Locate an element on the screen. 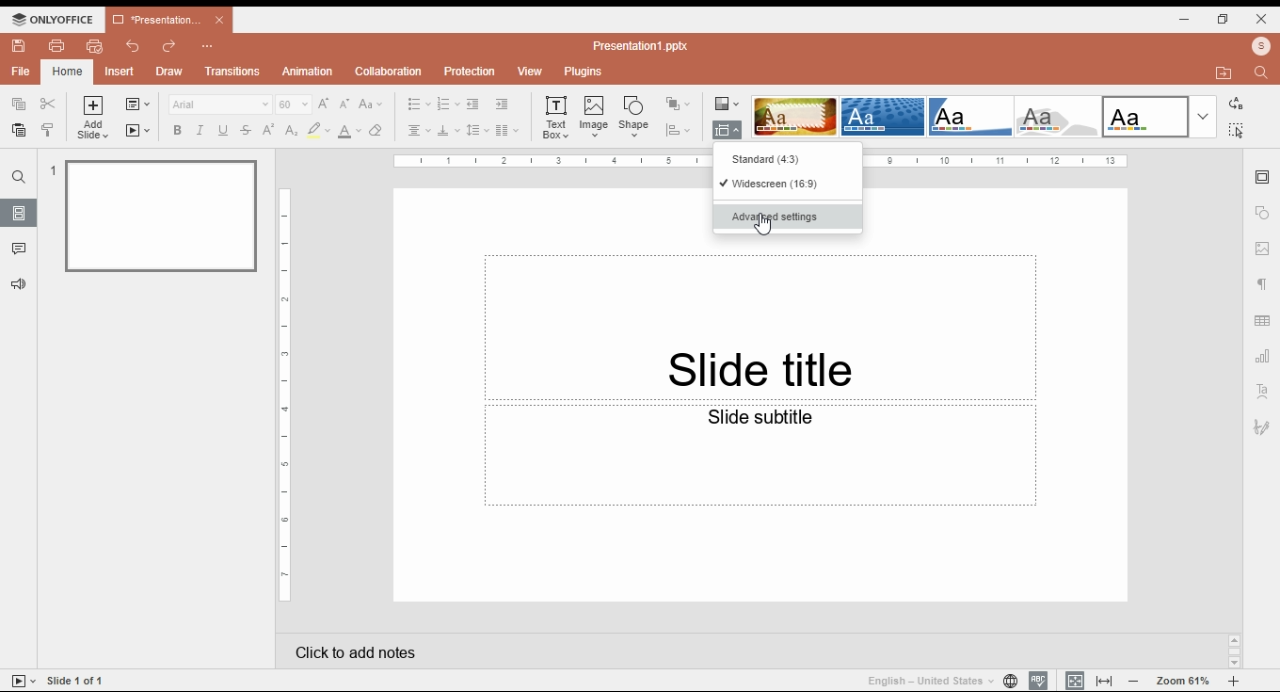 Image resolution: width=1280 pixels, height=692 pixels. shape settings is located at coordinates (1263, 213).